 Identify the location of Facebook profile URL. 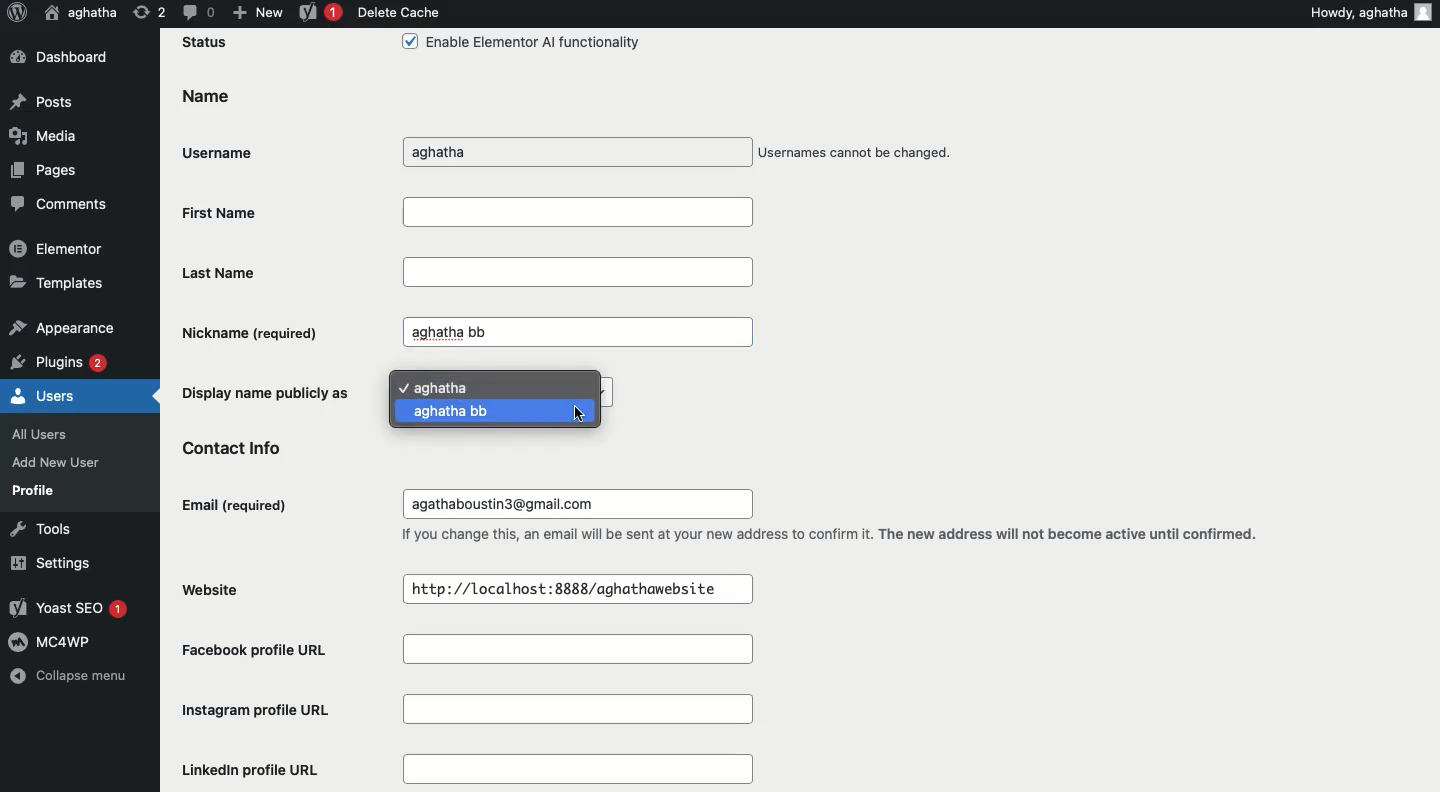
(475, 652).